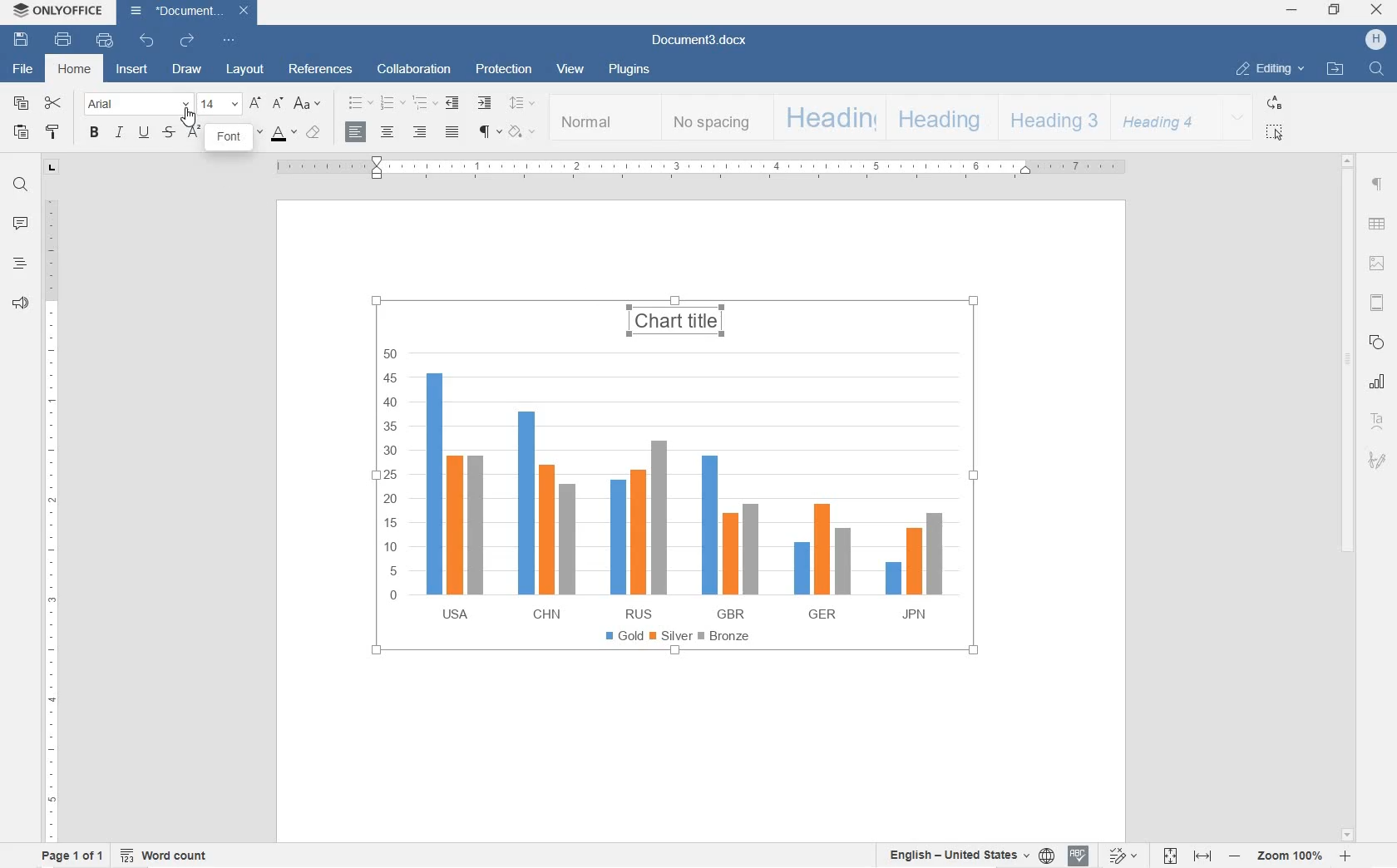  What do you see at coordinates (523, 131) in the screenshot?
I see `SHADING` at bounding box center [523, 131].